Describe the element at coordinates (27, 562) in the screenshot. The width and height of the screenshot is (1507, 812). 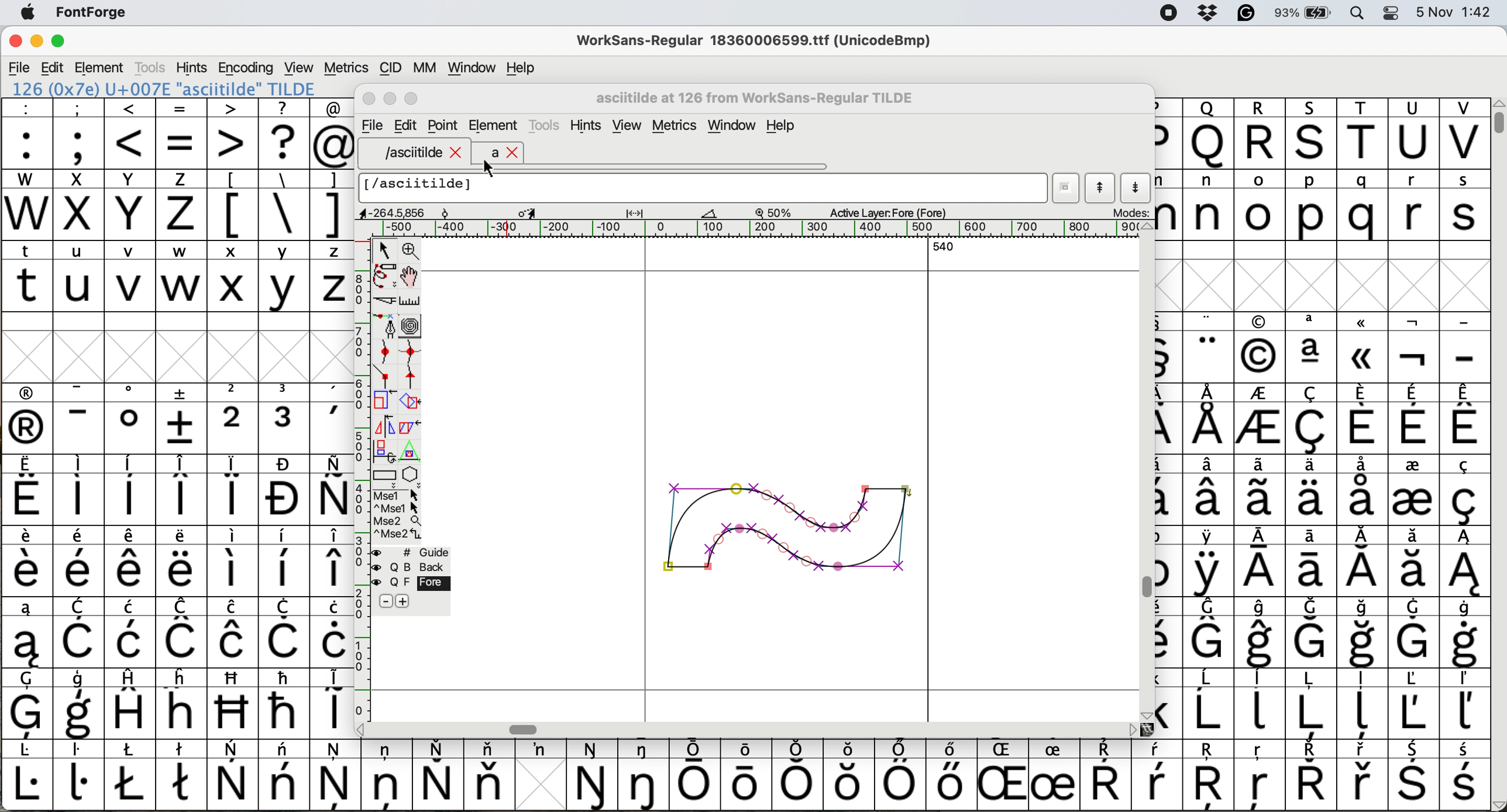
I see `symbol` at that location.